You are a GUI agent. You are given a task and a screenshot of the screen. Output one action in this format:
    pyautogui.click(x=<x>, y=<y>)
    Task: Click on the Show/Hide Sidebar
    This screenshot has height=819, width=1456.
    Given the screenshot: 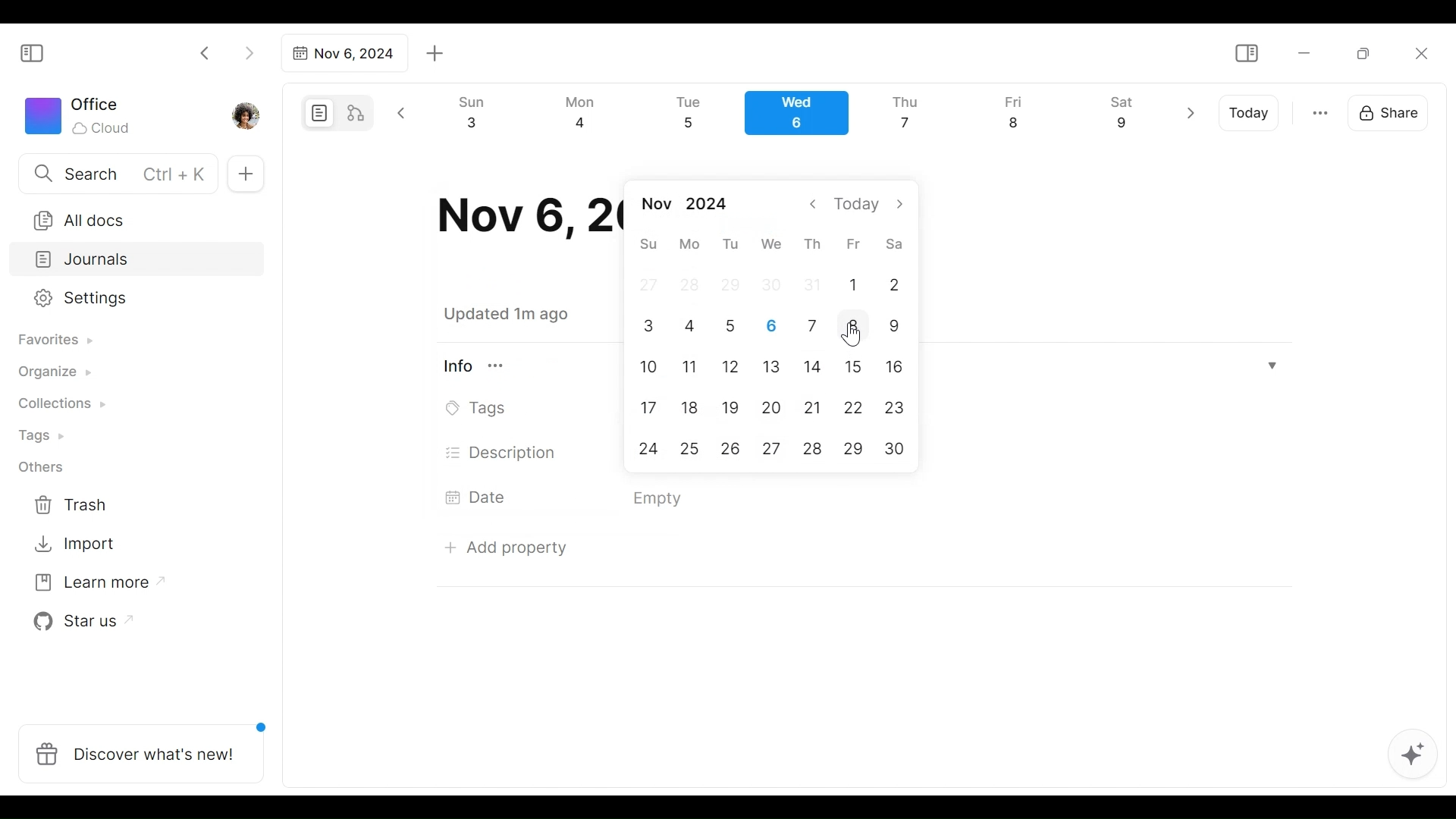 What is the action you would take?
    pyautogui.click(x=39, y=52)
    